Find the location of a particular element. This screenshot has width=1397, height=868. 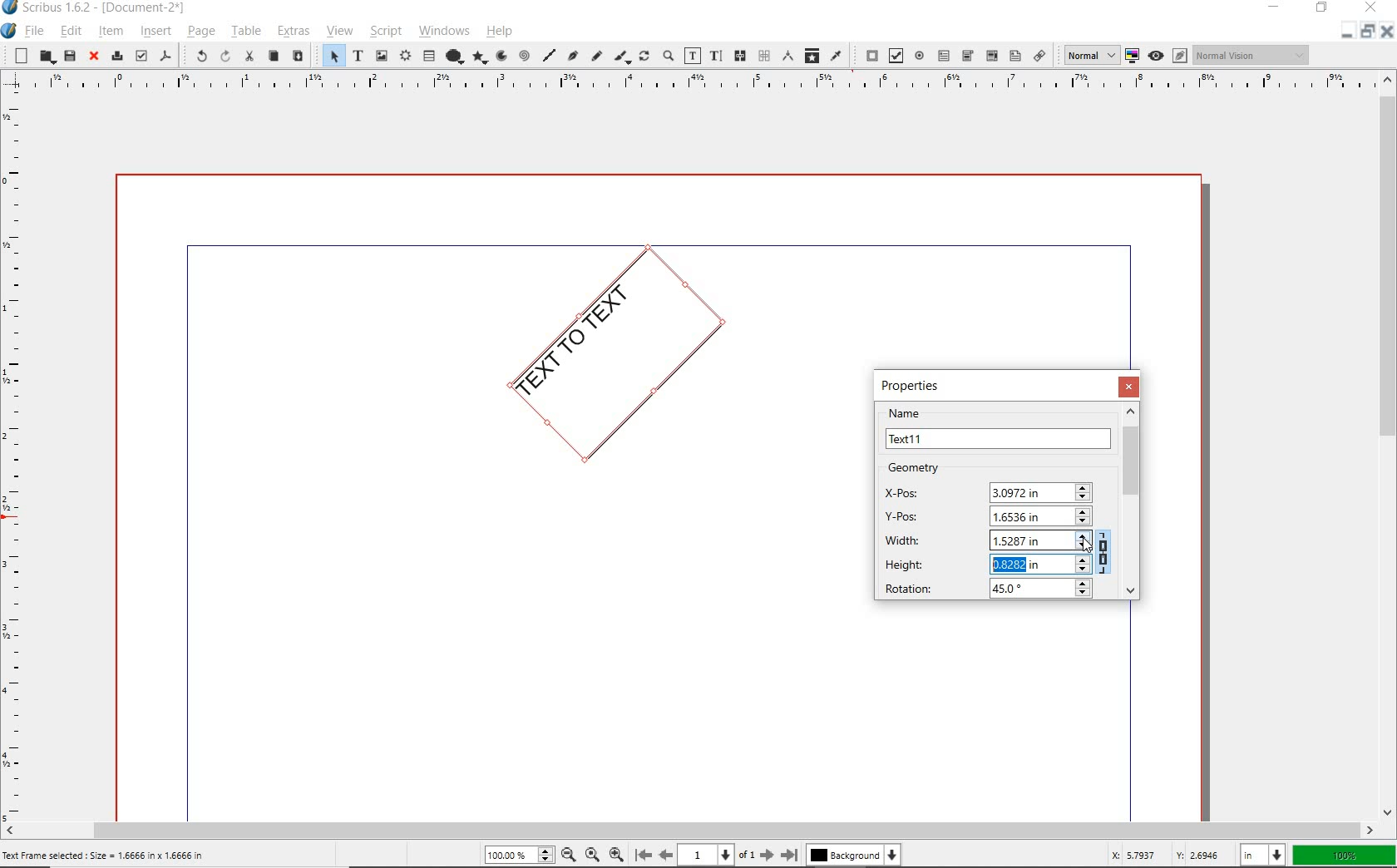

ruler is located at coordinates (17, 461).